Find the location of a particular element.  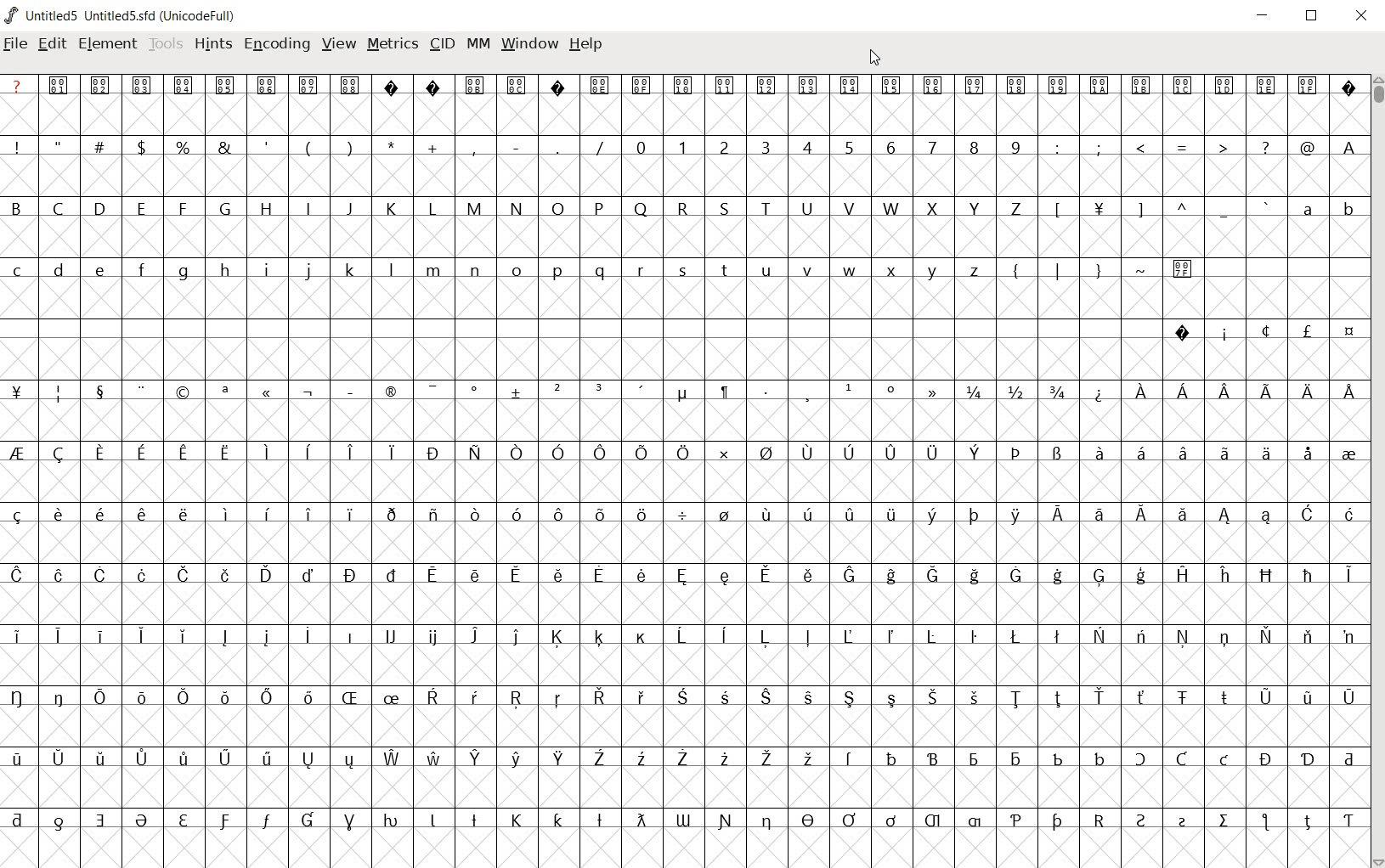

A is located at coordinates (1347, 146).